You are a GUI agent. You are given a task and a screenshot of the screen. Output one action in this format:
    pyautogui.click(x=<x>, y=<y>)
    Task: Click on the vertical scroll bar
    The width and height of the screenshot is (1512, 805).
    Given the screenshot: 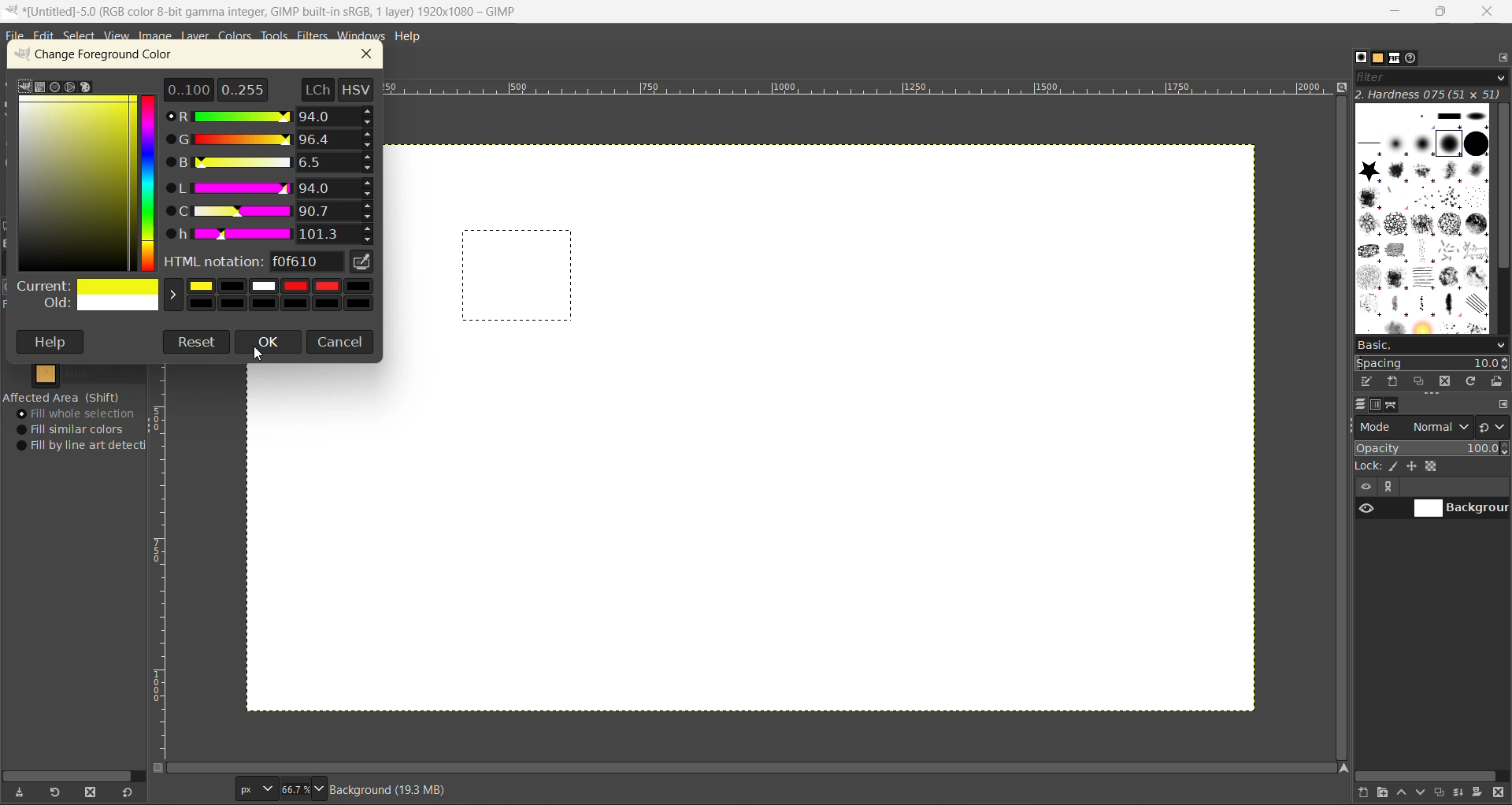 What is the action you would take?
    pyautogui.click(x=1340, y=429)
    